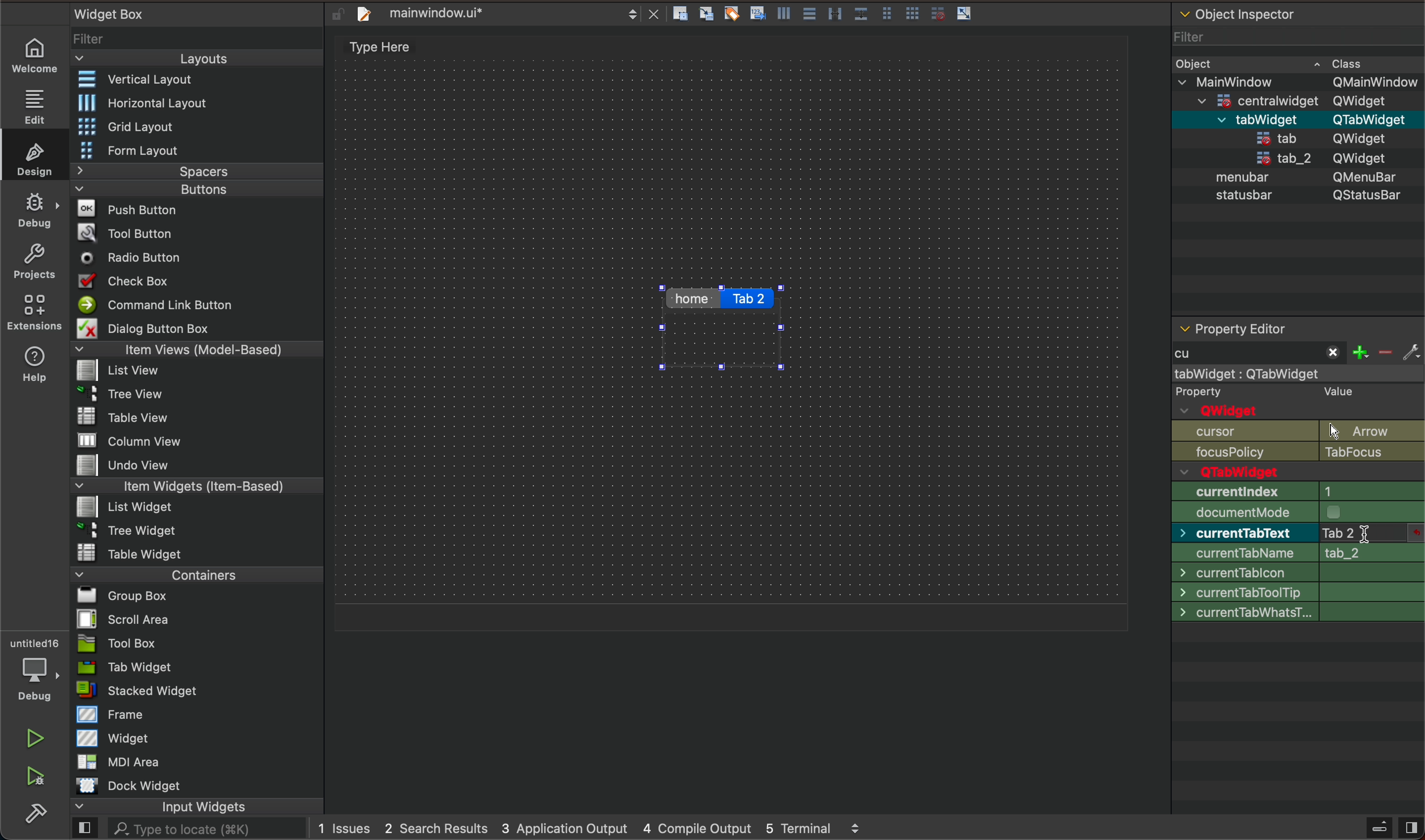 This screenshot has width=1425, height=840. Describe the element at coordinates (1296, 630) in the screenshot. I see `font` at that location.